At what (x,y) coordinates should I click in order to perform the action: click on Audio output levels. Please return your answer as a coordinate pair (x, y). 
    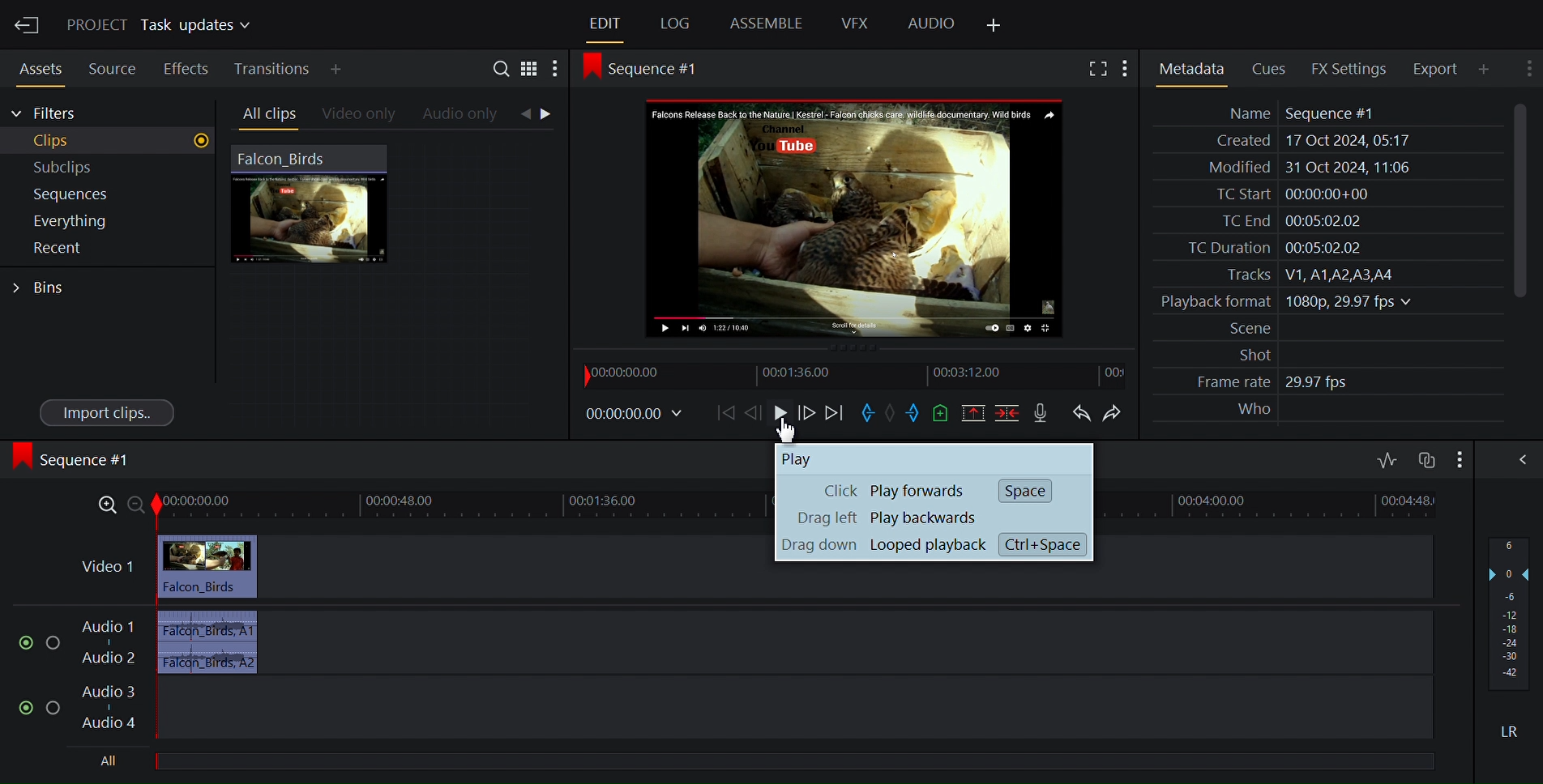
    Looking at the image, I should click on (1512, 609).